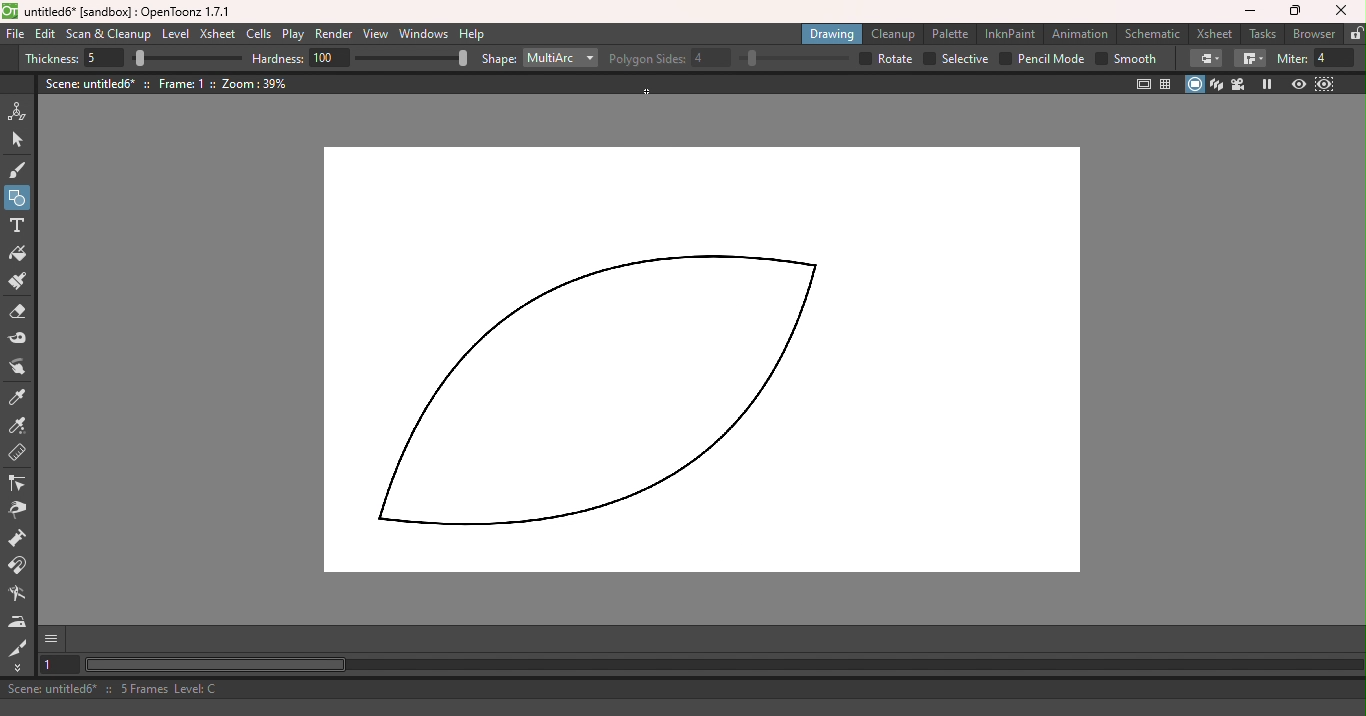 The image size is (1366, 716). I want to click on Drawing, so click(832, 34).